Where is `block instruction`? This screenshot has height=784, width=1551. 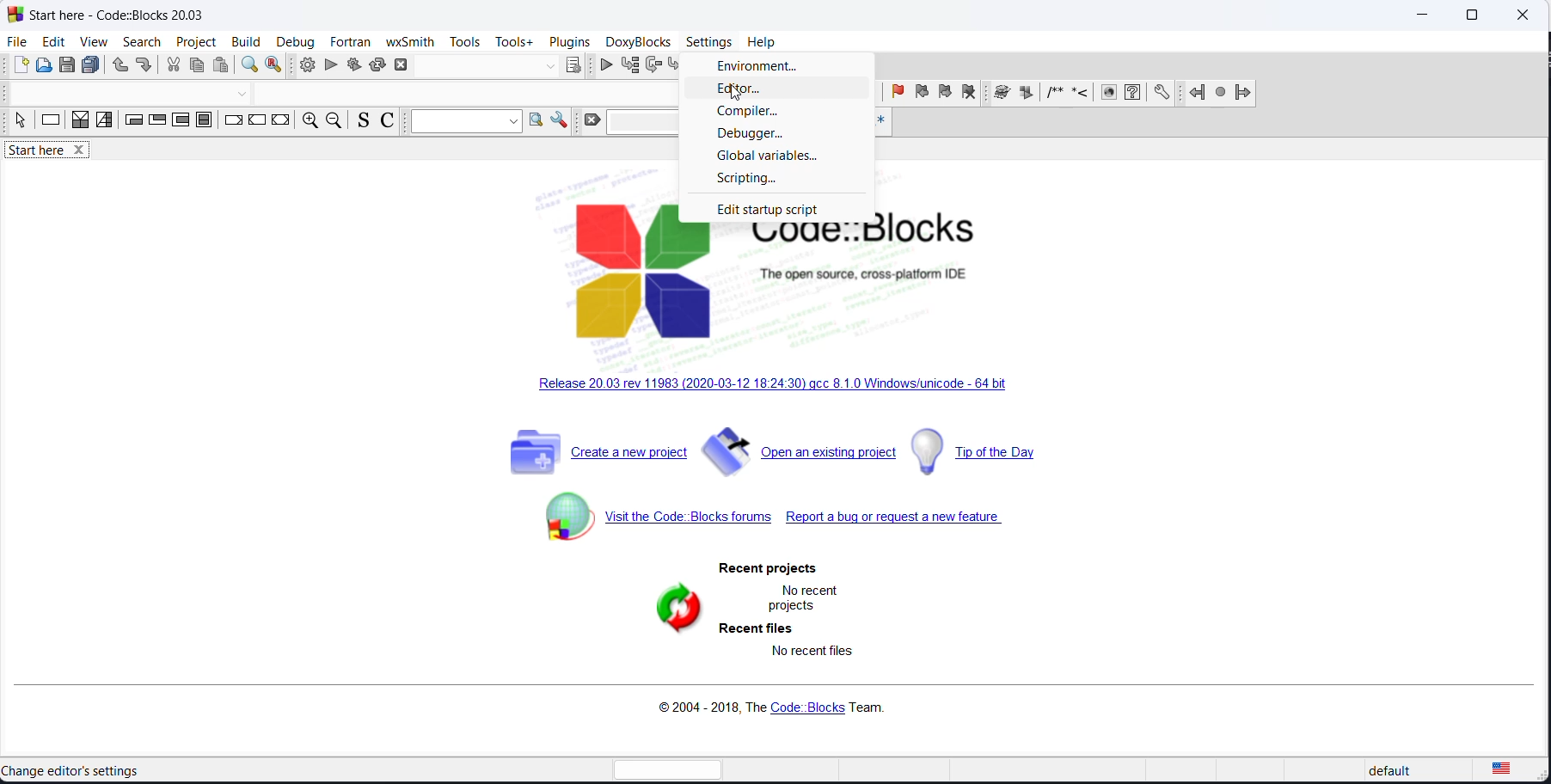
block instruction is located at coordinates (203, 121).